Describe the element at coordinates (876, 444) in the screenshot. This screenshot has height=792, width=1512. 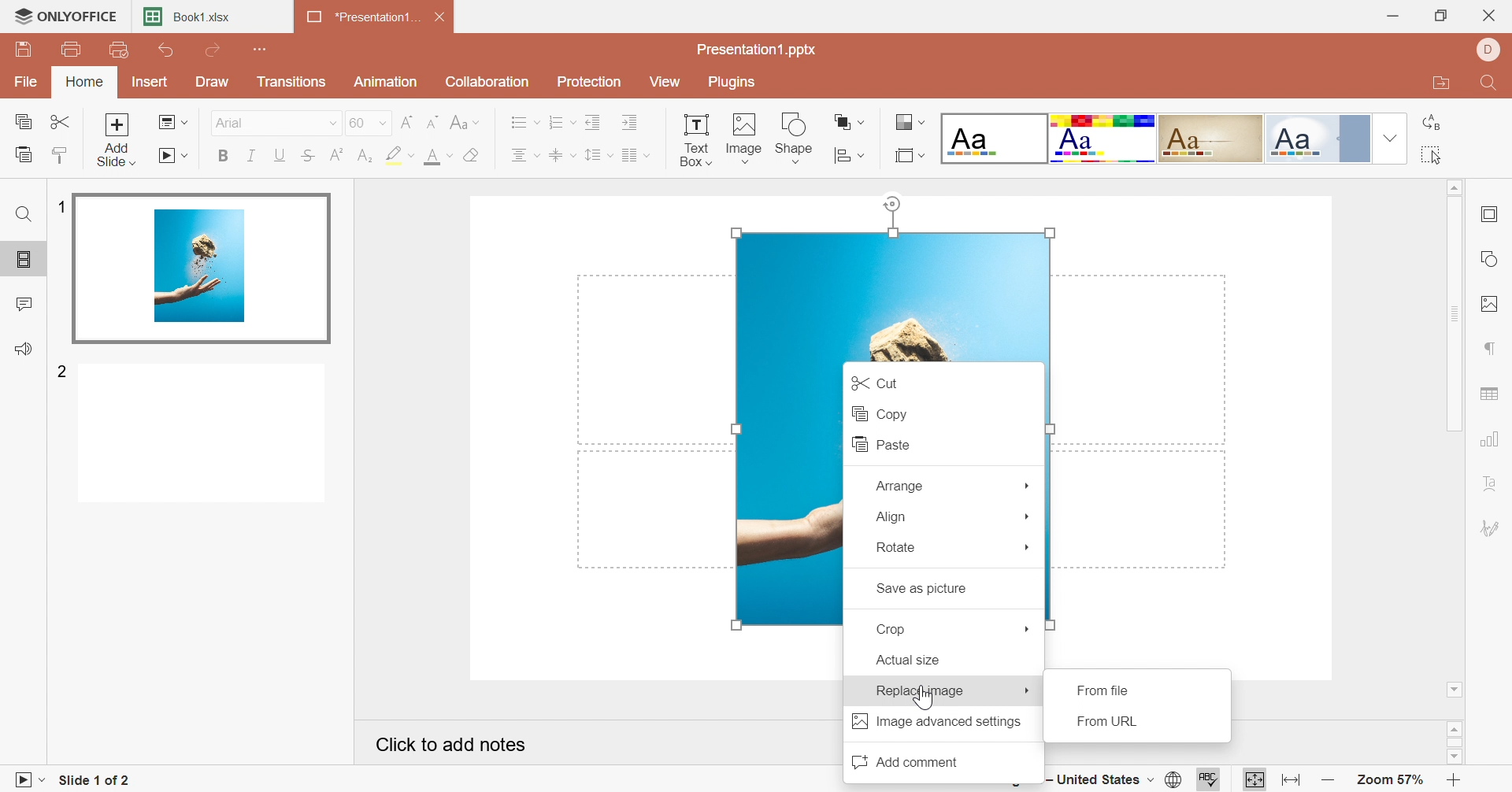
I see `Paste` at that location.